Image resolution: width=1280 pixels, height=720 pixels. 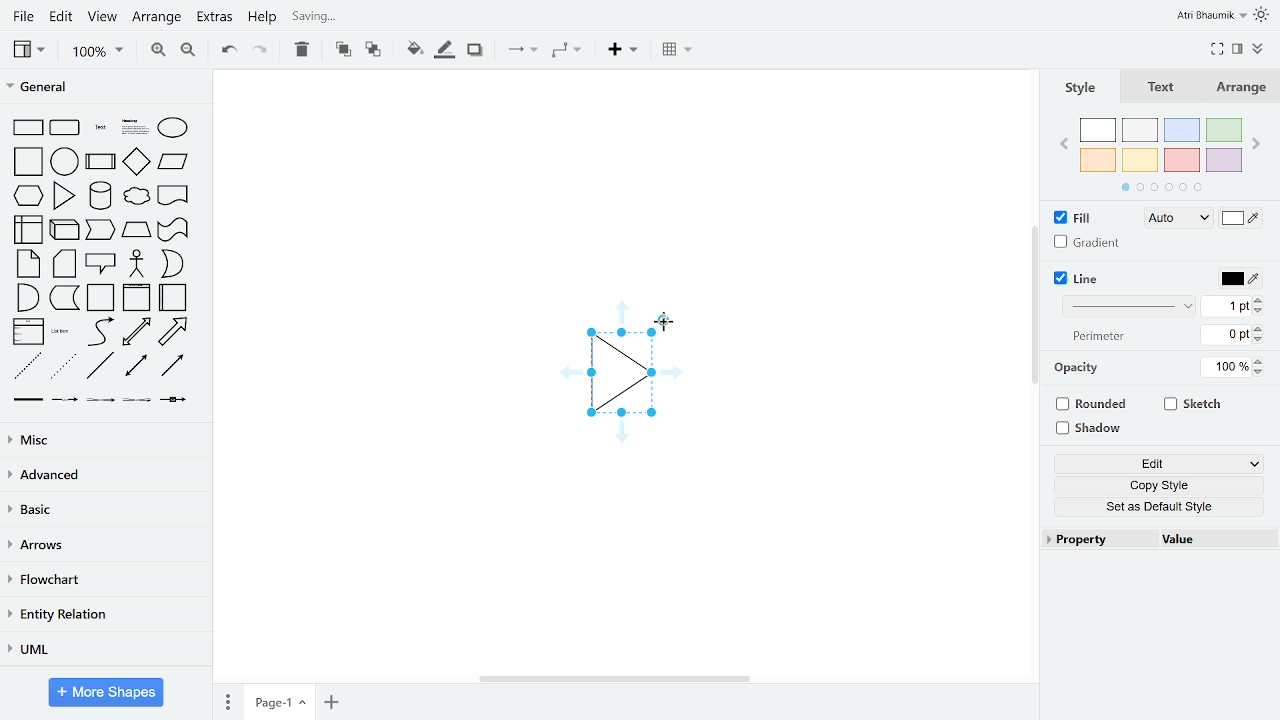 I want to click on current line width, so click(x=1226, y=307).